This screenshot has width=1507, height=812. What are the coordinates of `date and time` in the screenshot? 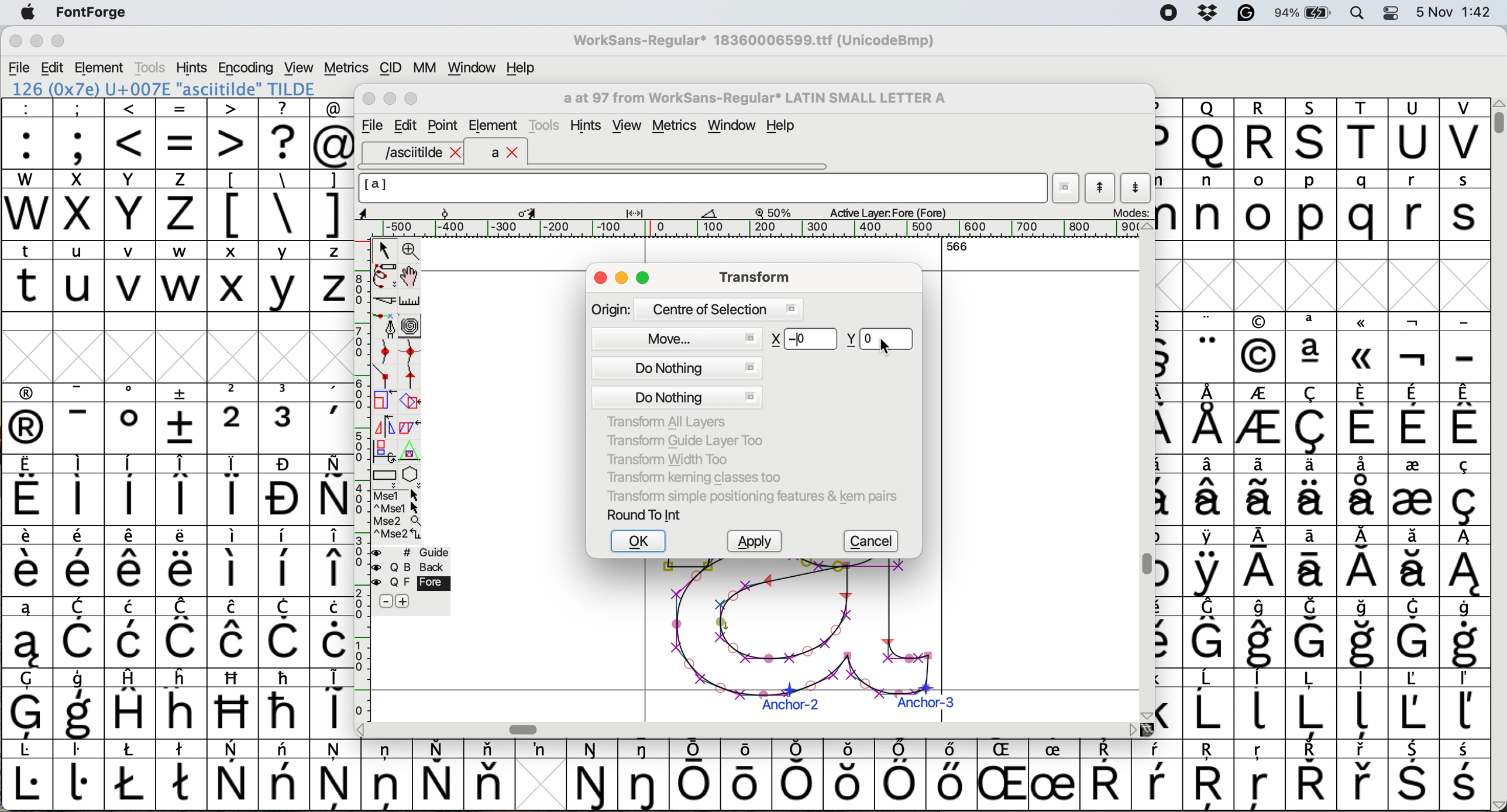 It's located at (1454, 11).